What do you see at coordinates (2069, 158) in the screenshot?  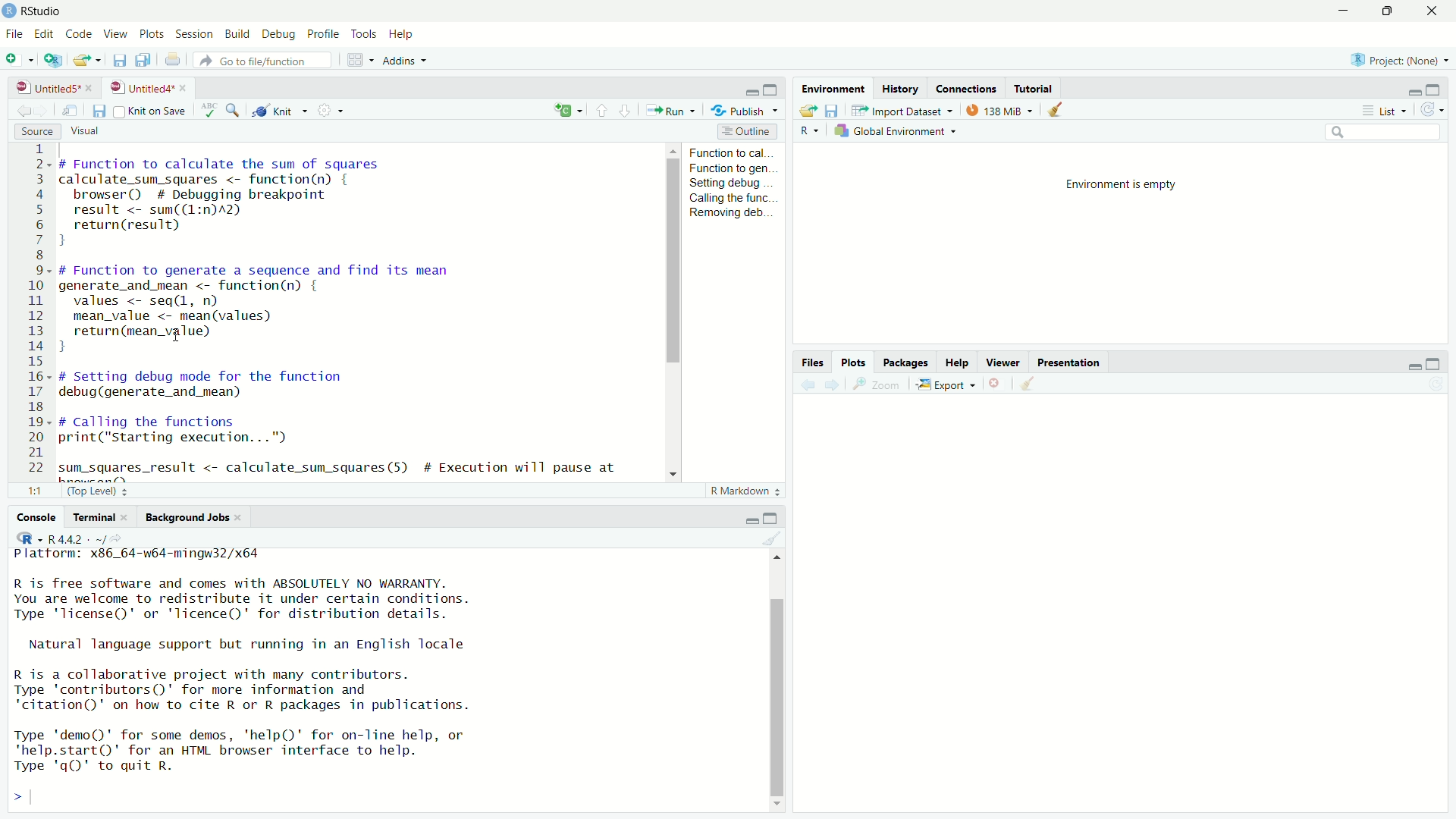 I see `tutorial` at bounding box center [2069, 158].